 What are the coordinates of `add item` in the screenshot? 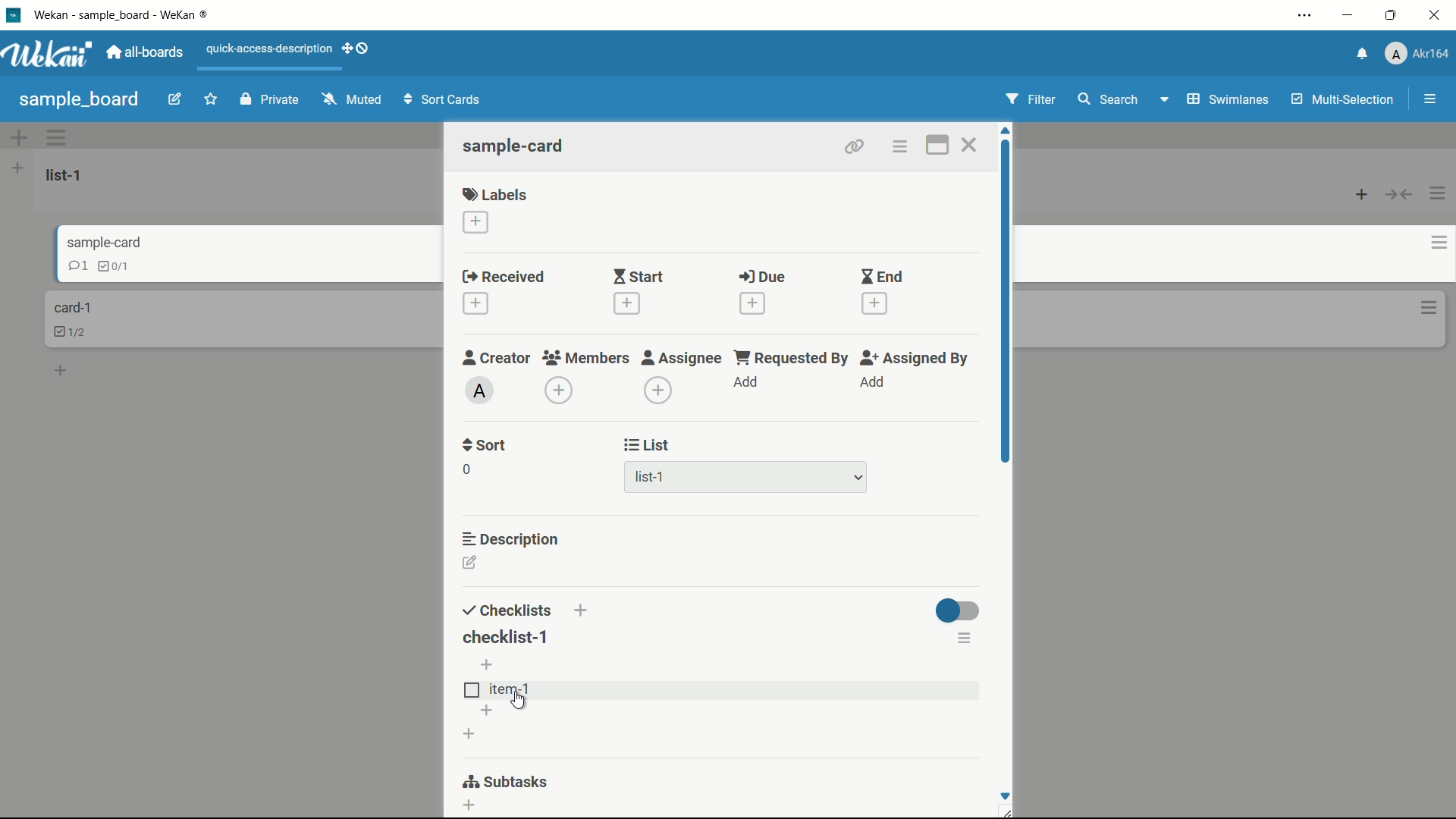 It's located at (485, 712).